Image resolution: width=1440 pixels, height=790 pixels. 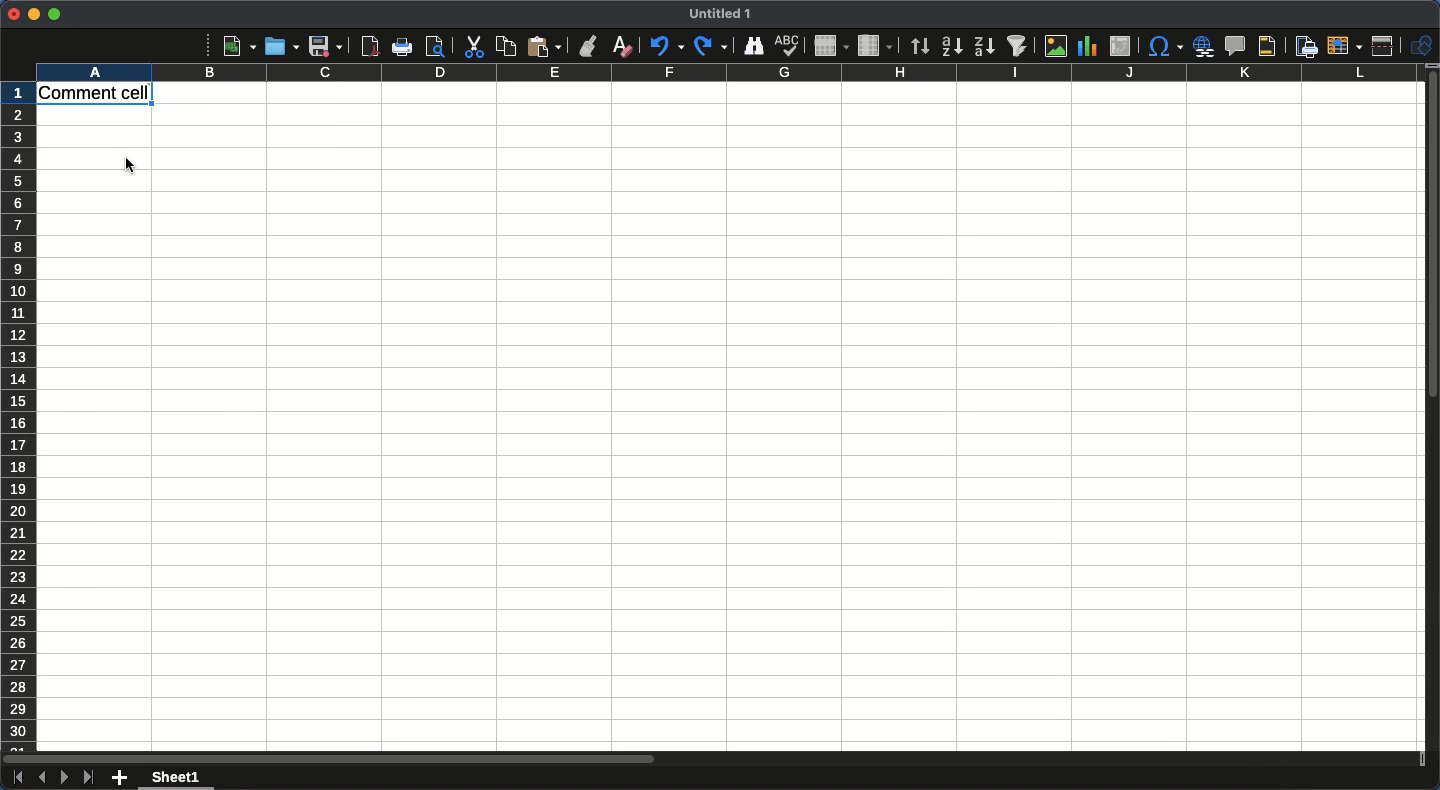 I want to click on Image, so click(x=1058, y=46).